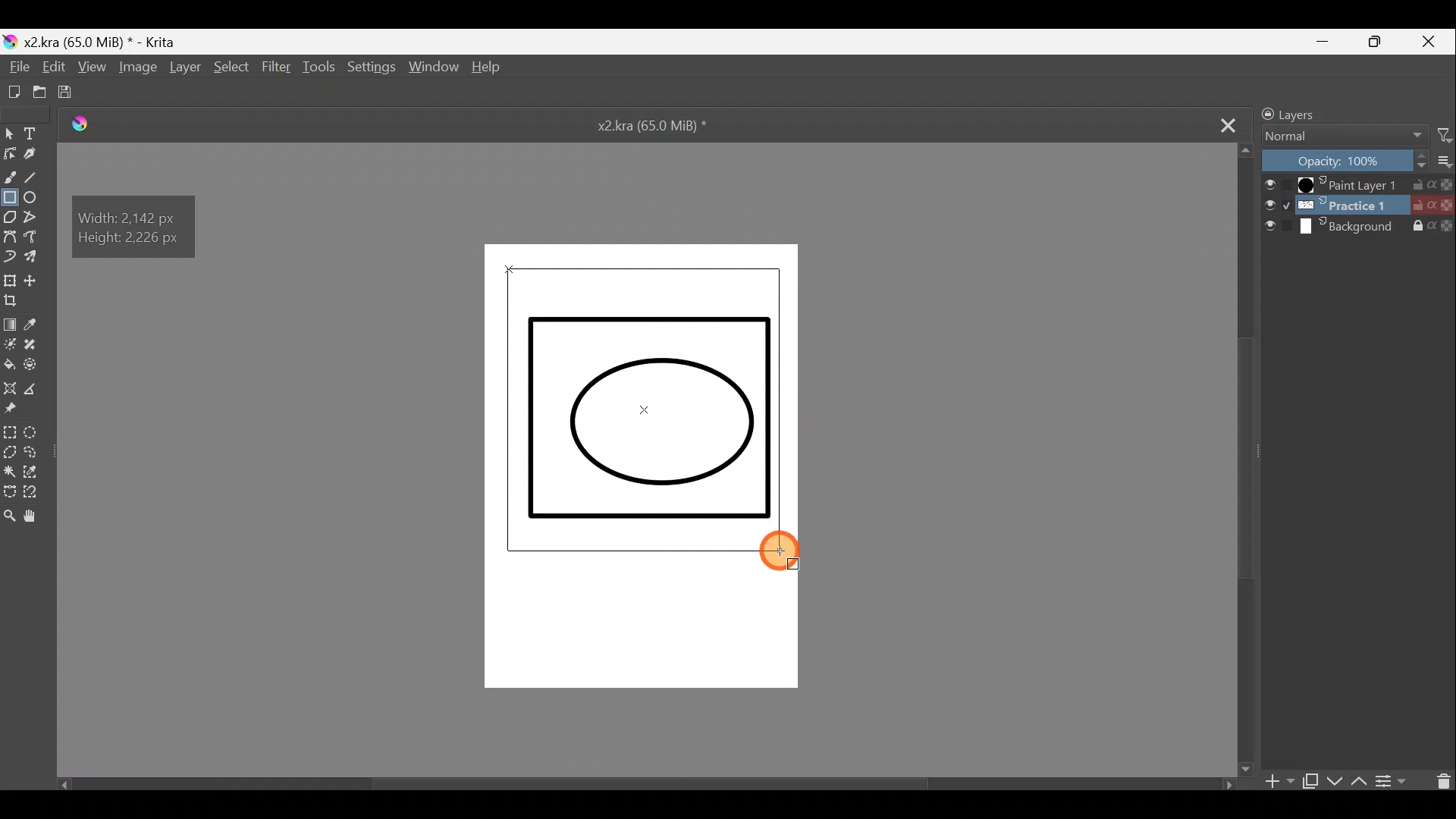 Image resolution: width=1456 pixels, height=819 pixels. Describe the element at coordinates (39, 180) in the screenshot. I see `Line tool` at that location.